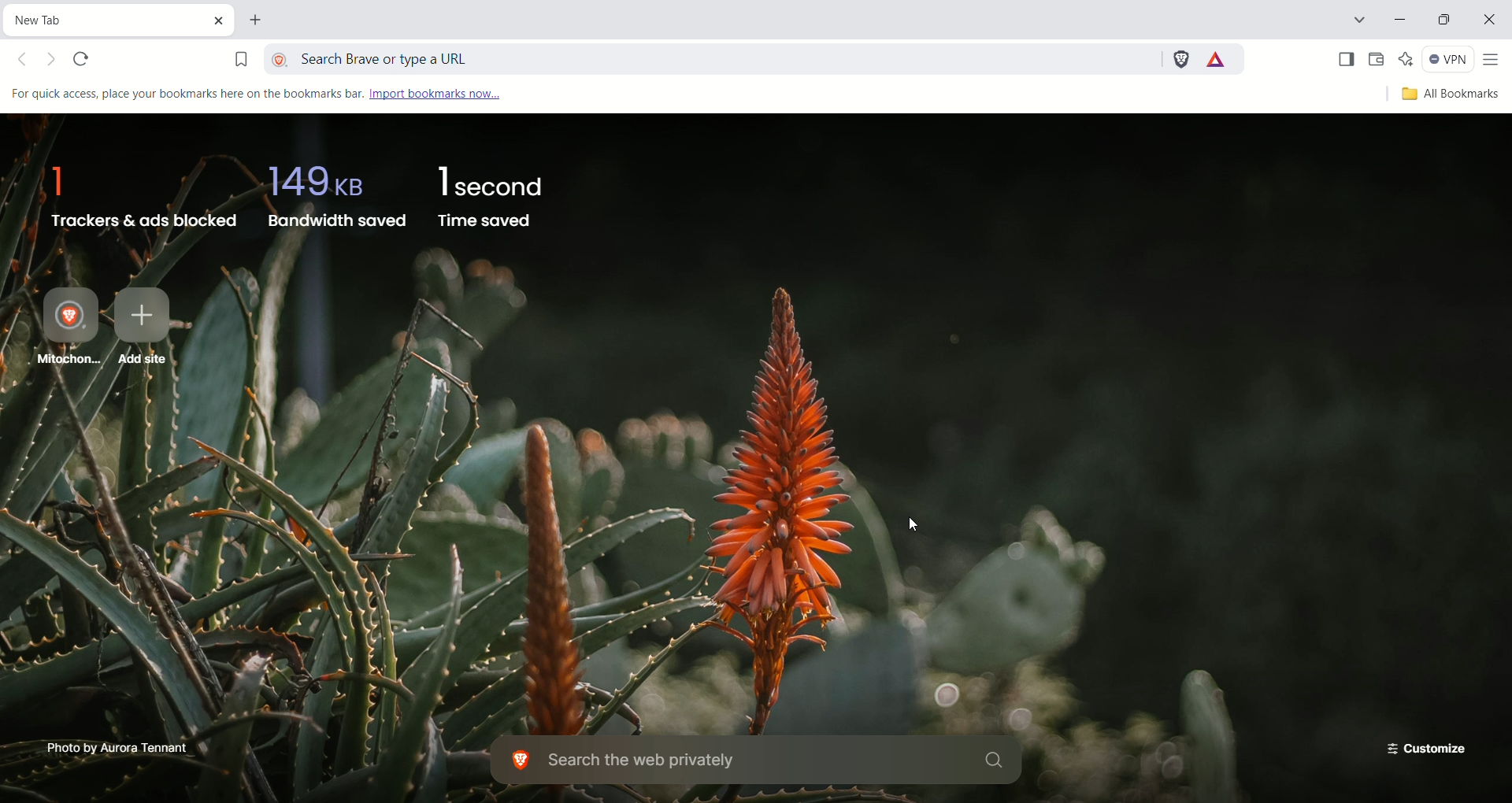 The image size is (1512, 803). I want to click on show sidebar, so click(1344, 60).